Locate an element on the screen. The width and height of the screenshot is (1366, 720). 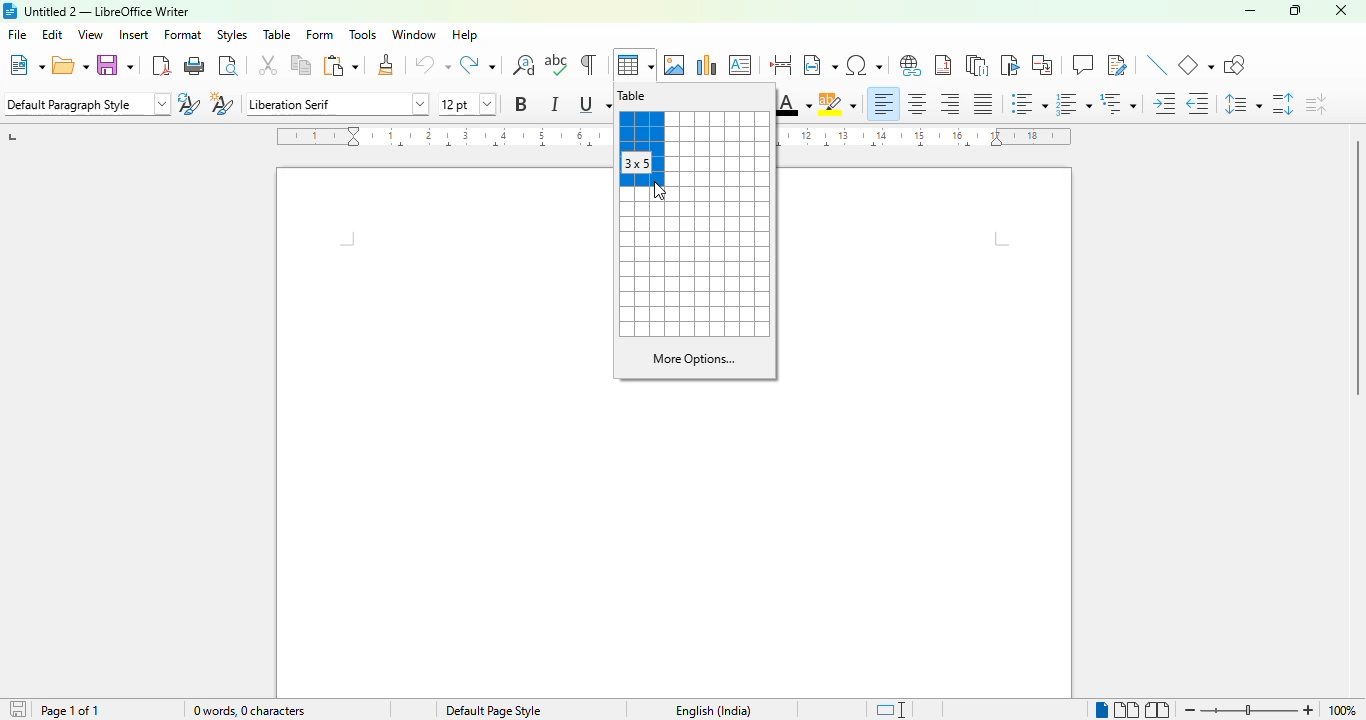
edit is located at coordinates (53, 34).